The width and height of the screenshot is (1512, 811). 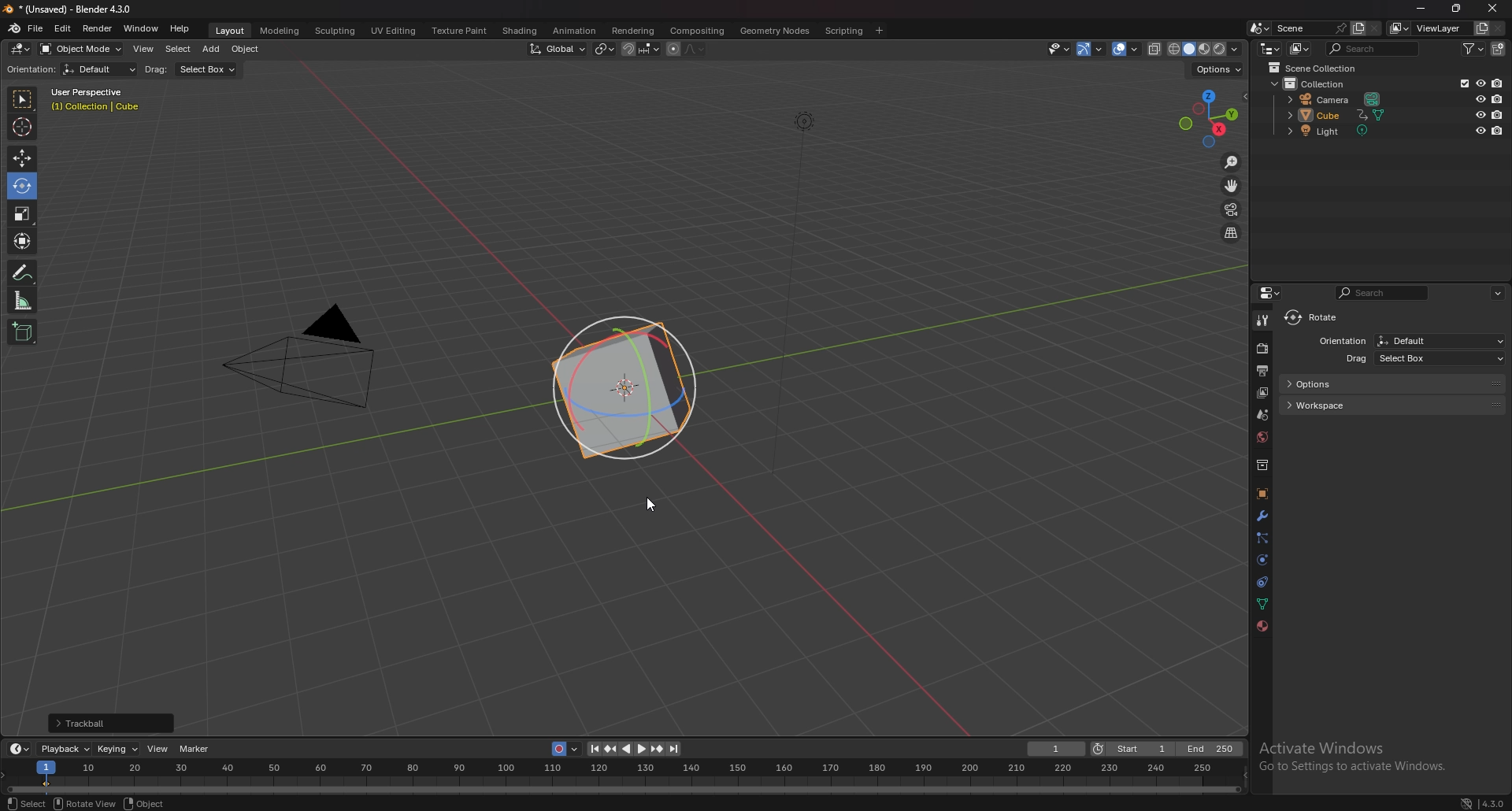 What do you see at coordinates (1462, 83) in the screenshot?
I see `exclude from view layer` at bounding box center [1462, 83].